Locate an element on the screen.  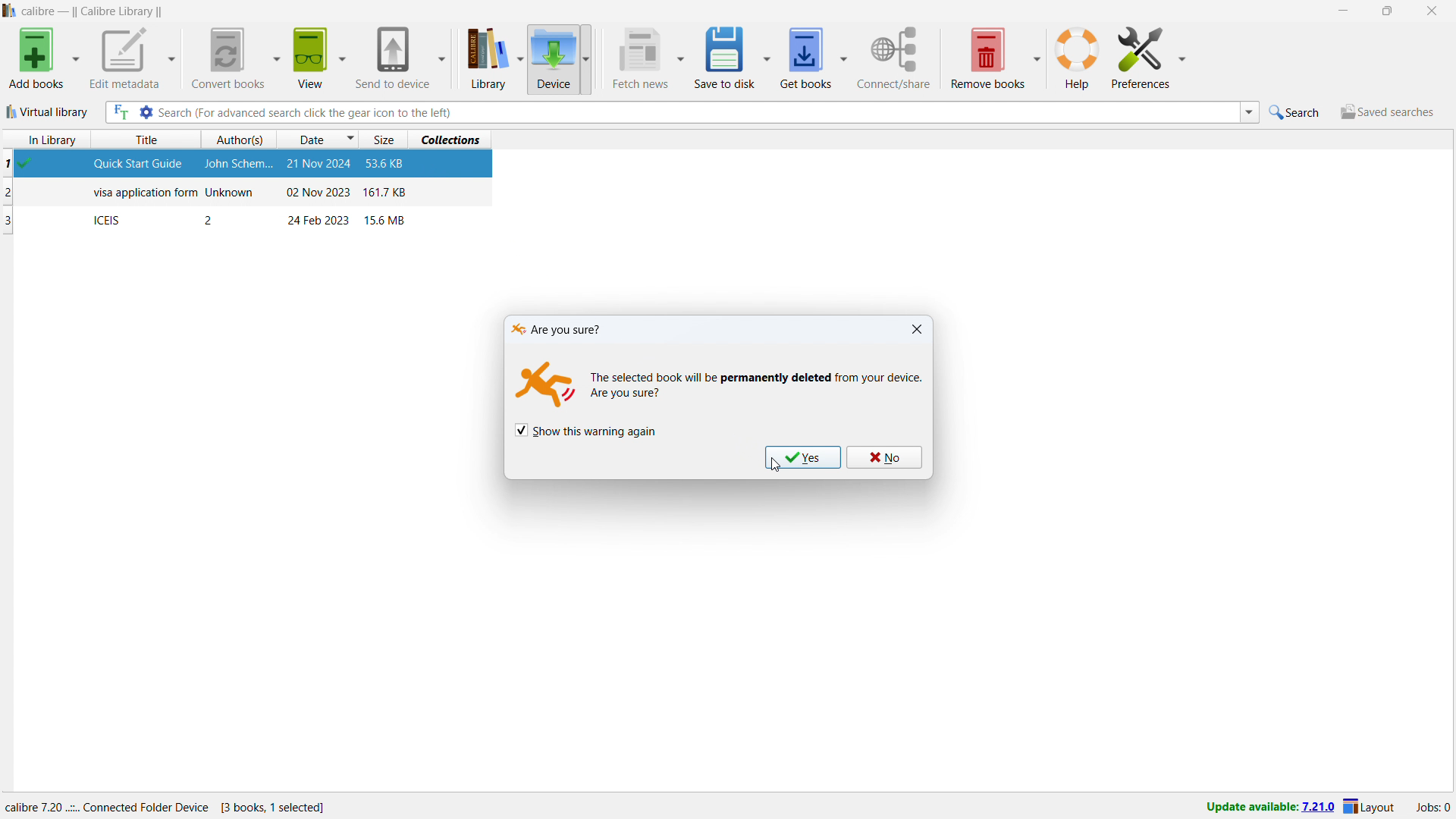
sort by size is located at coordinates (385, 139).